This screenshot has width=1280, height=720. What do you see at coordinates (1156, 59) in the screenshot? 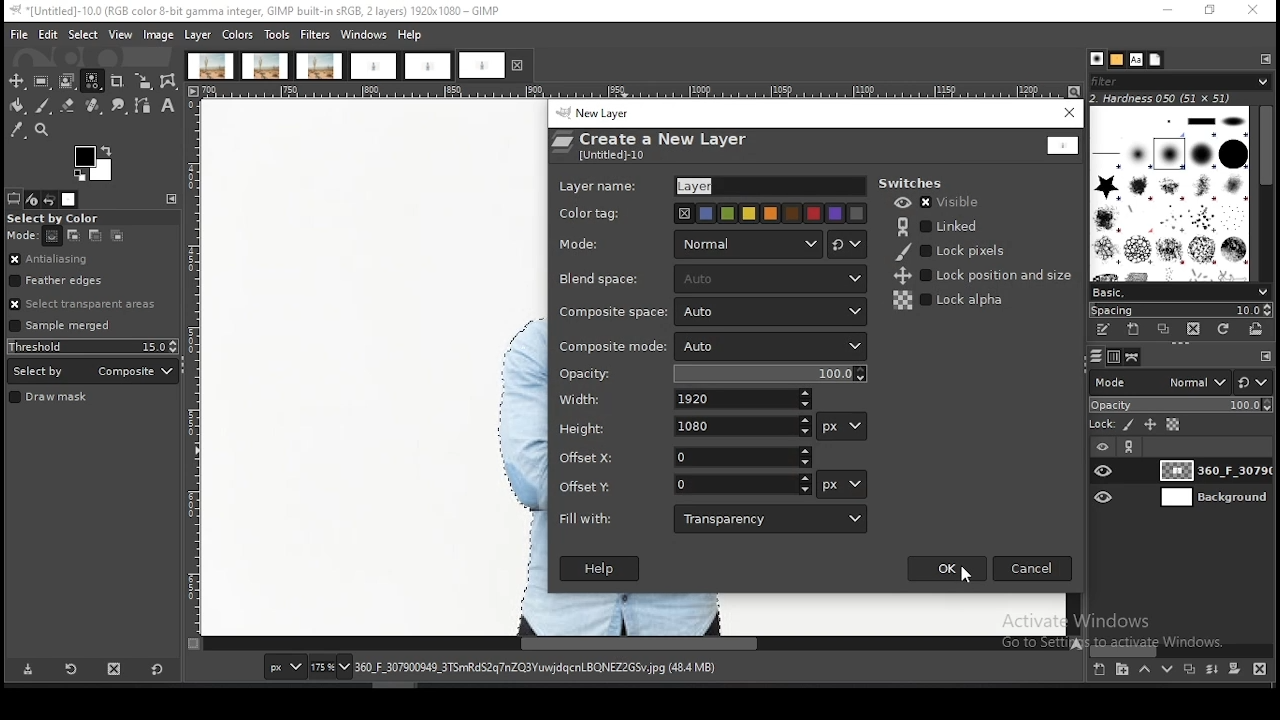
I see `document history` at bounding box center [1156, 59].